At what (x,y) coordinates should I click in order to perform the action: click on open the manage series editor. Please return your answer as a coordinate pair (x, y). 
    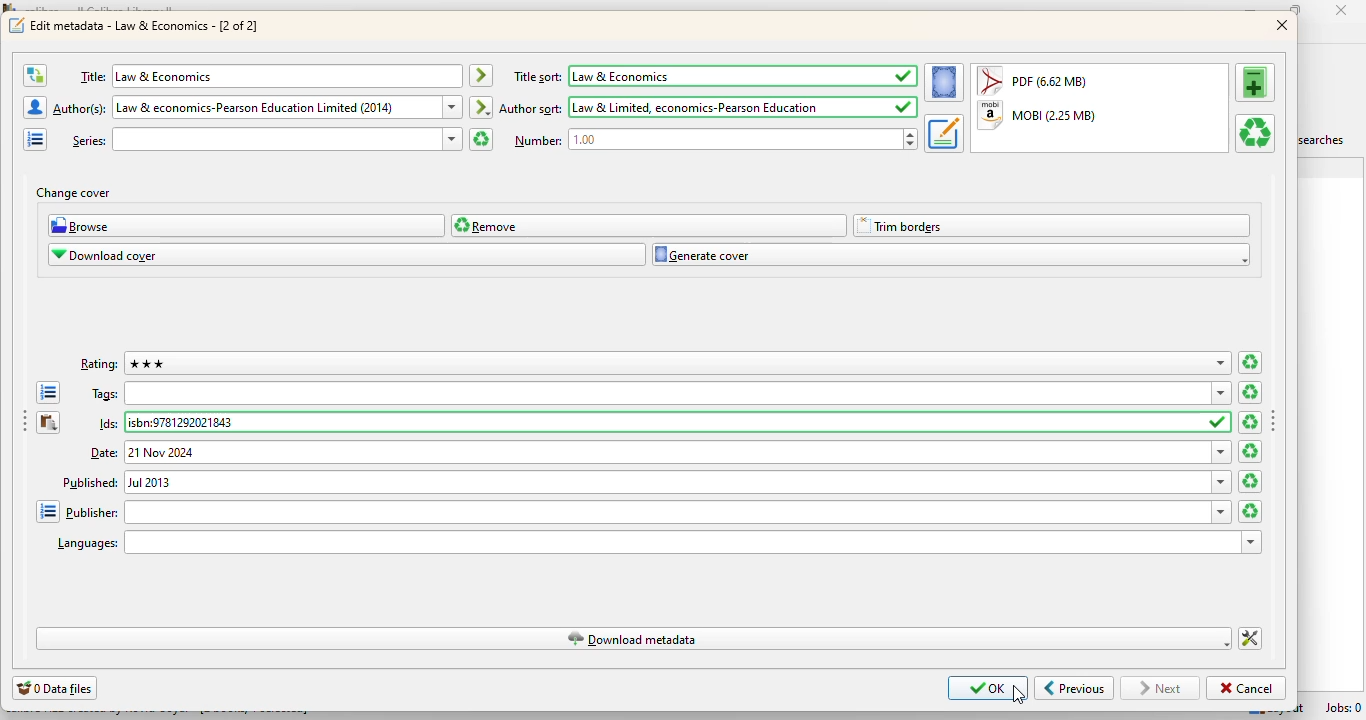
    Looking at the image, I should click on (35, 139).